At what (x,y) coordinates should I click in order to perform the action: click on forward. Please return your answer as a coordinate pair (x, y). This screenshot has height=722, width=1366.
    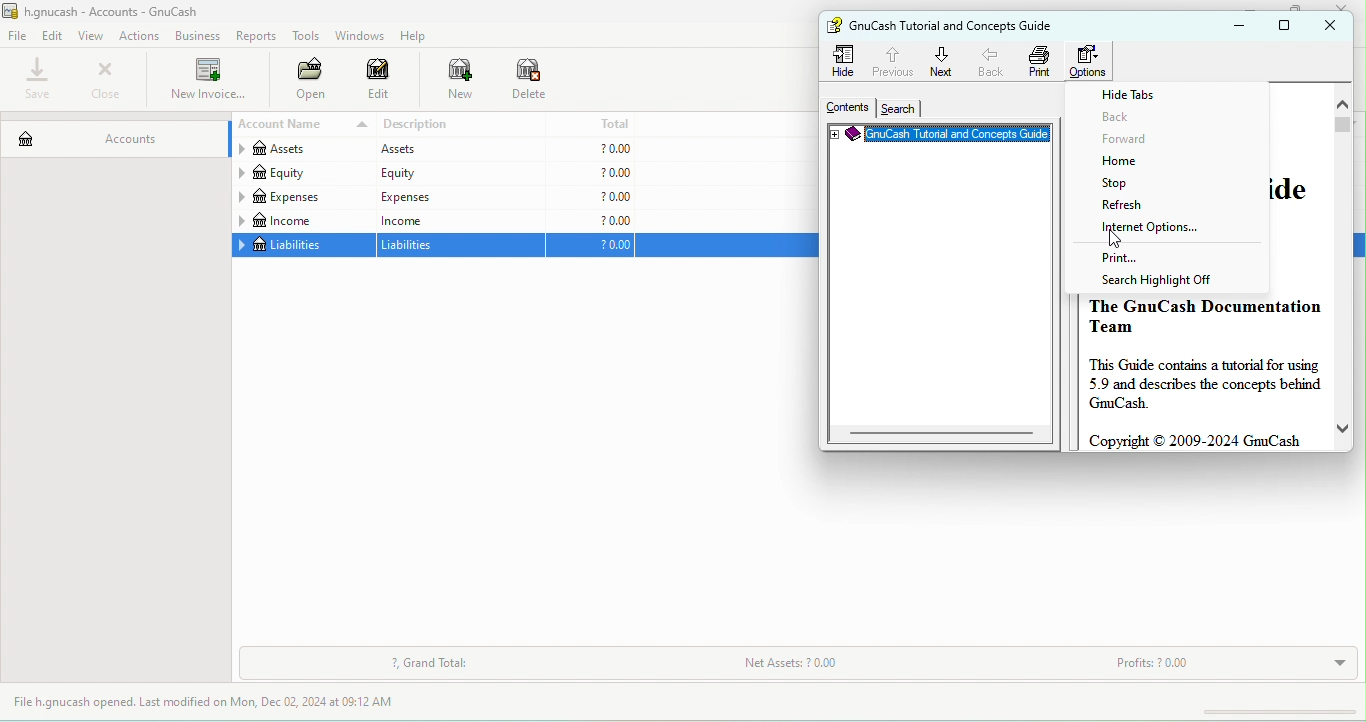
    Looking at the image, I should click on (1156, 141).